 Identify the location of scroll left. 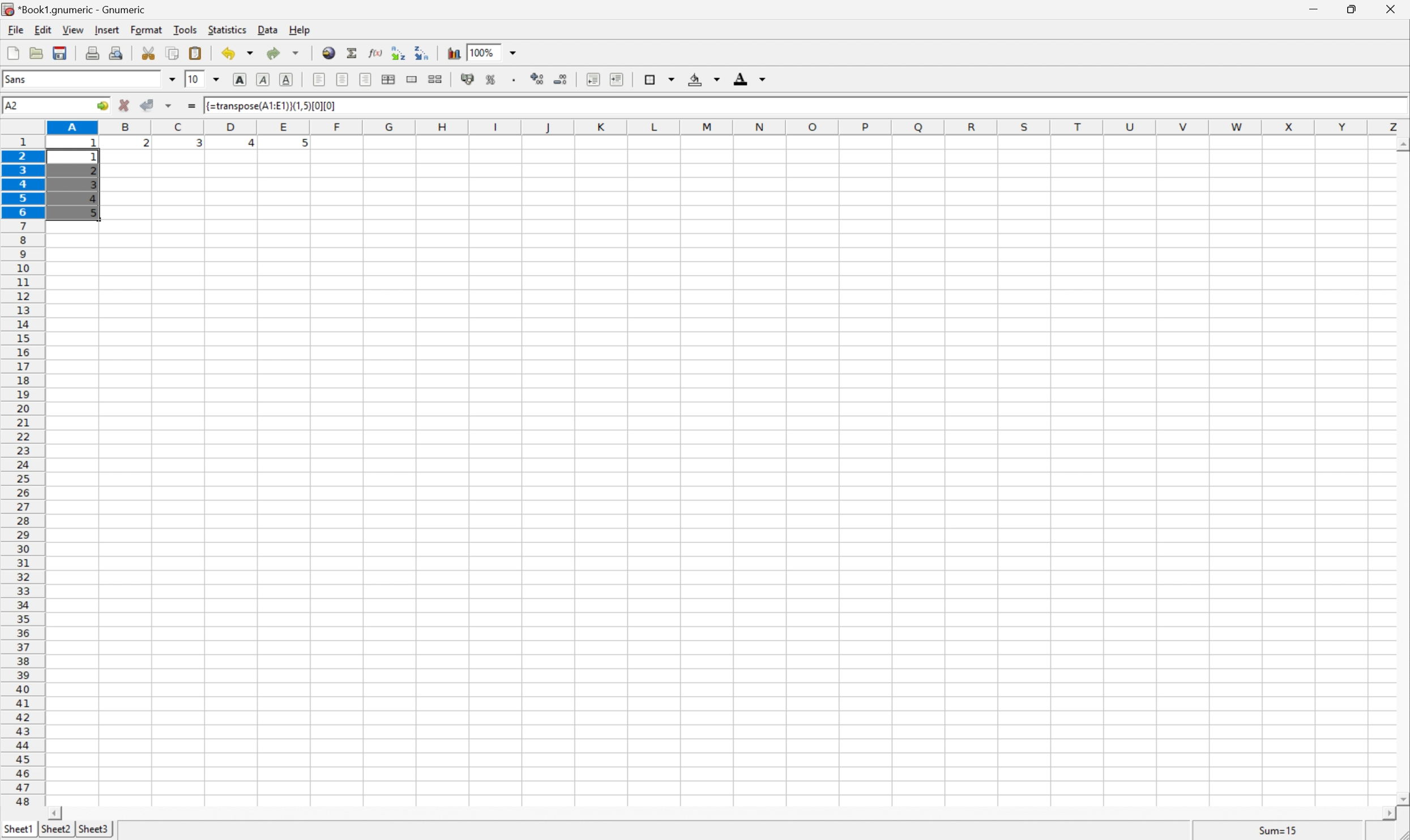
(58, 813).